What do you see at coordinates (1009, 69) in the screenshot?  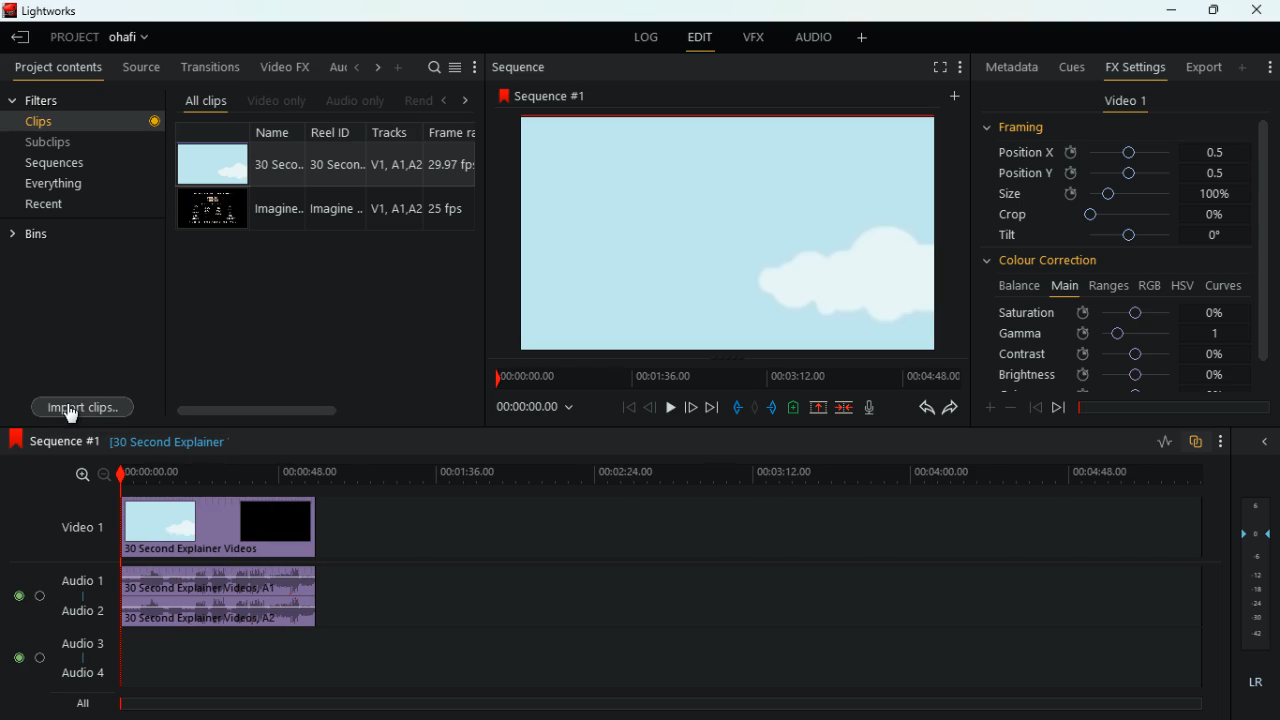 I see `metadata` at bounding box center [1009, 69].